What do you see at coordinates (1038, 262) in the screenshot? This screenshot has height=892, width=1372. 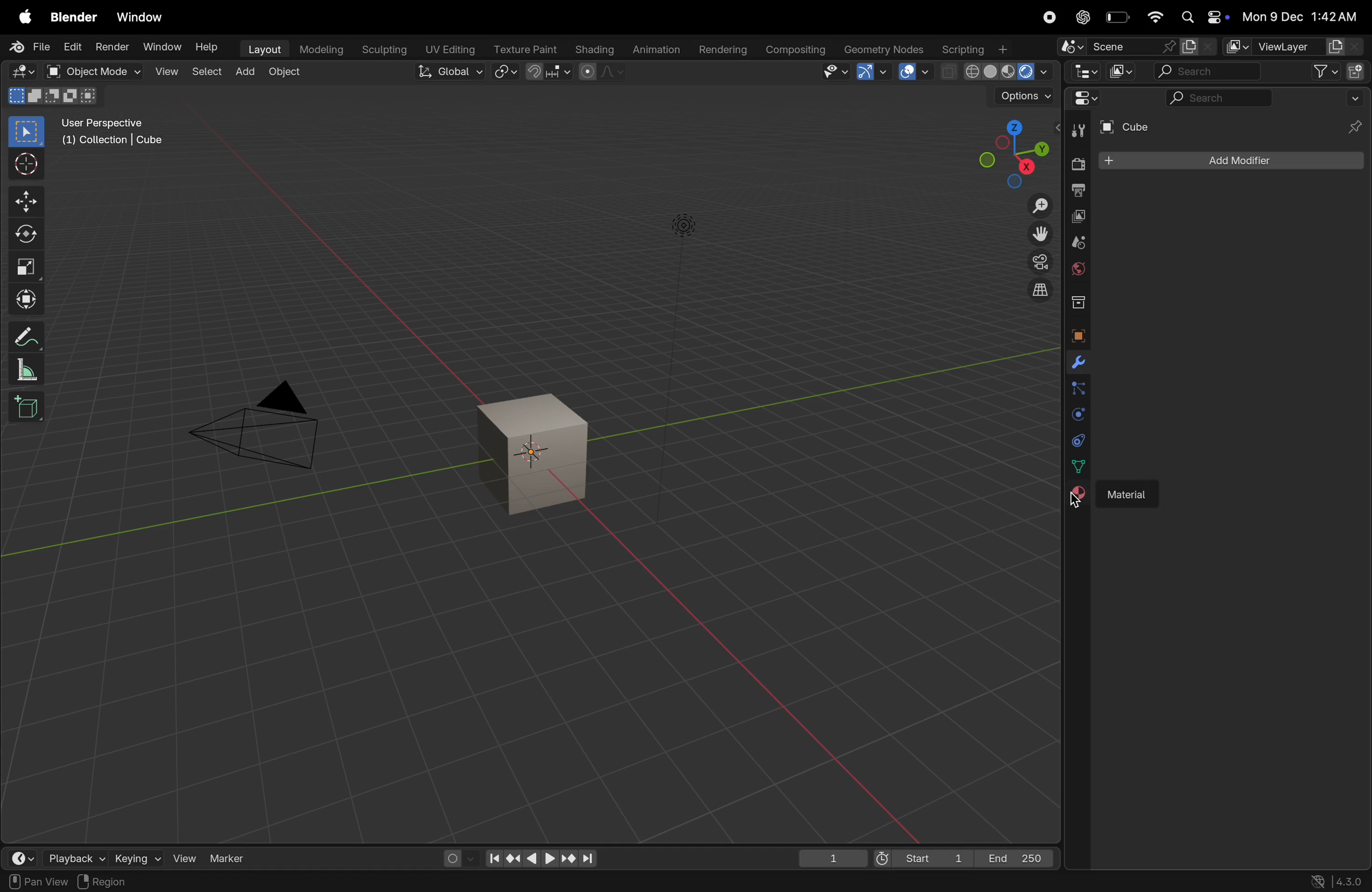 I see `toggle camera` at bounding box center [1038, 262].